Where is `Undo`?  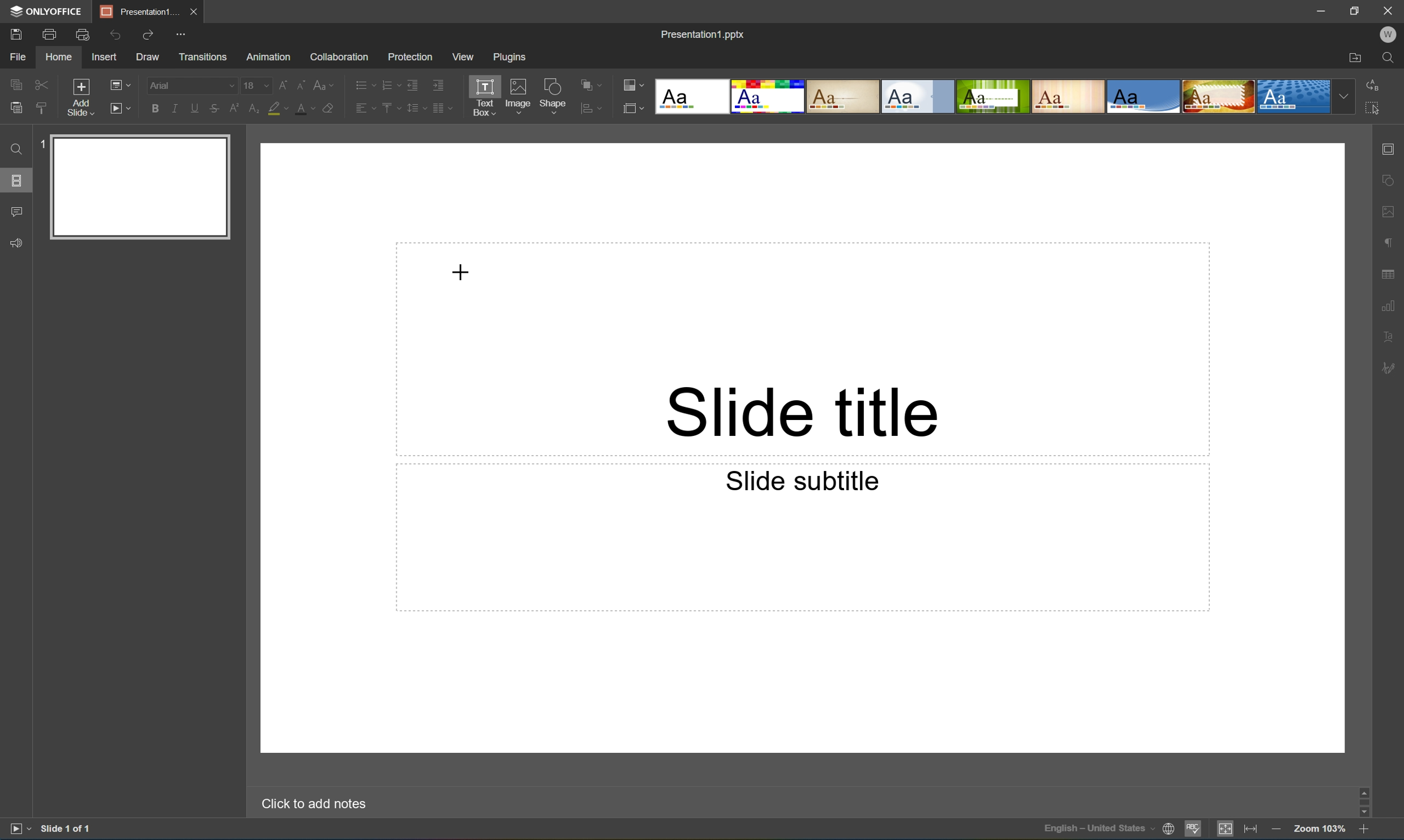 Undo is located at coordinates (113, 35).